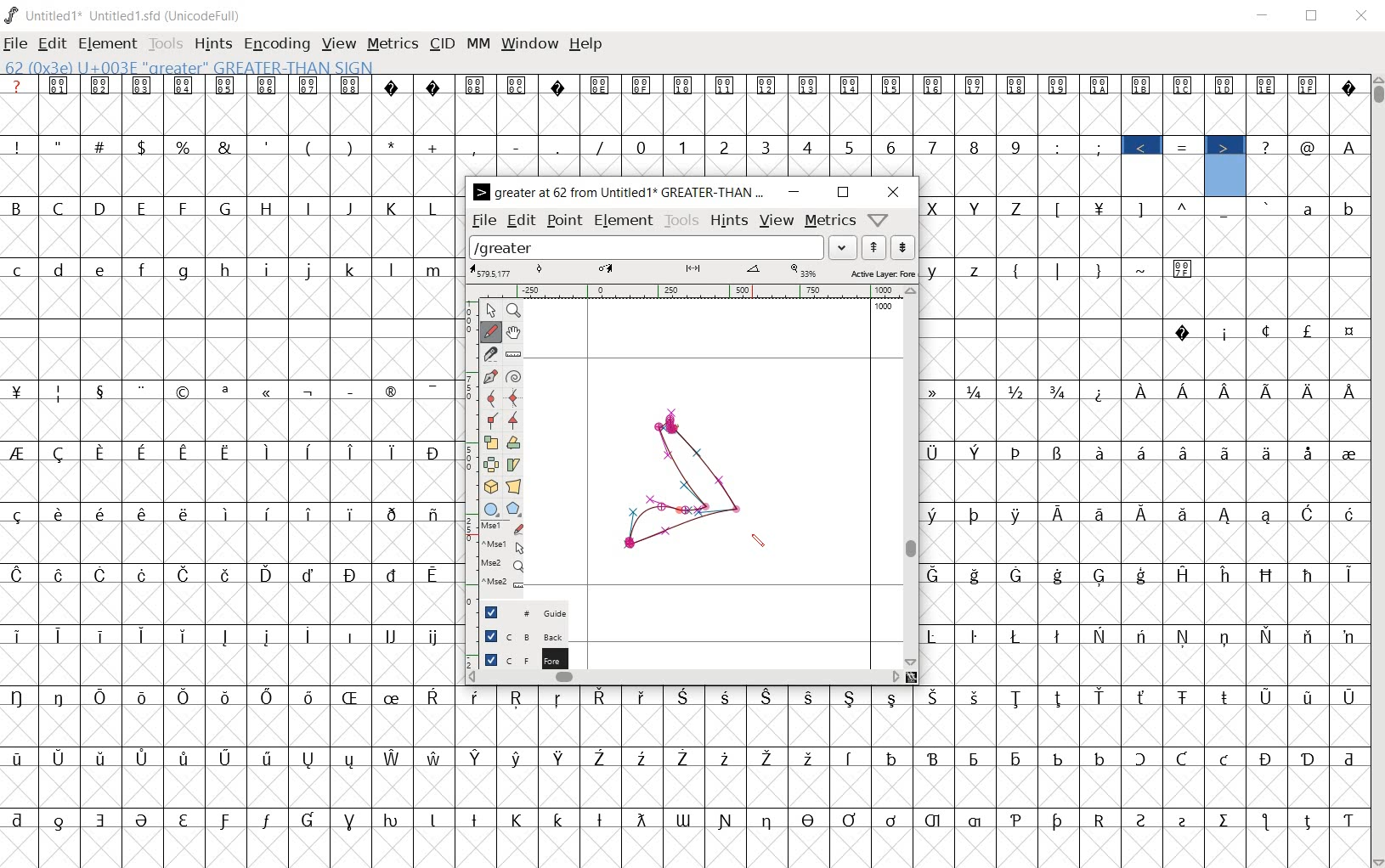  What do you see at coordinates (340, 45) in the screenshot?
I see `view` at bounding box center [340, 45].